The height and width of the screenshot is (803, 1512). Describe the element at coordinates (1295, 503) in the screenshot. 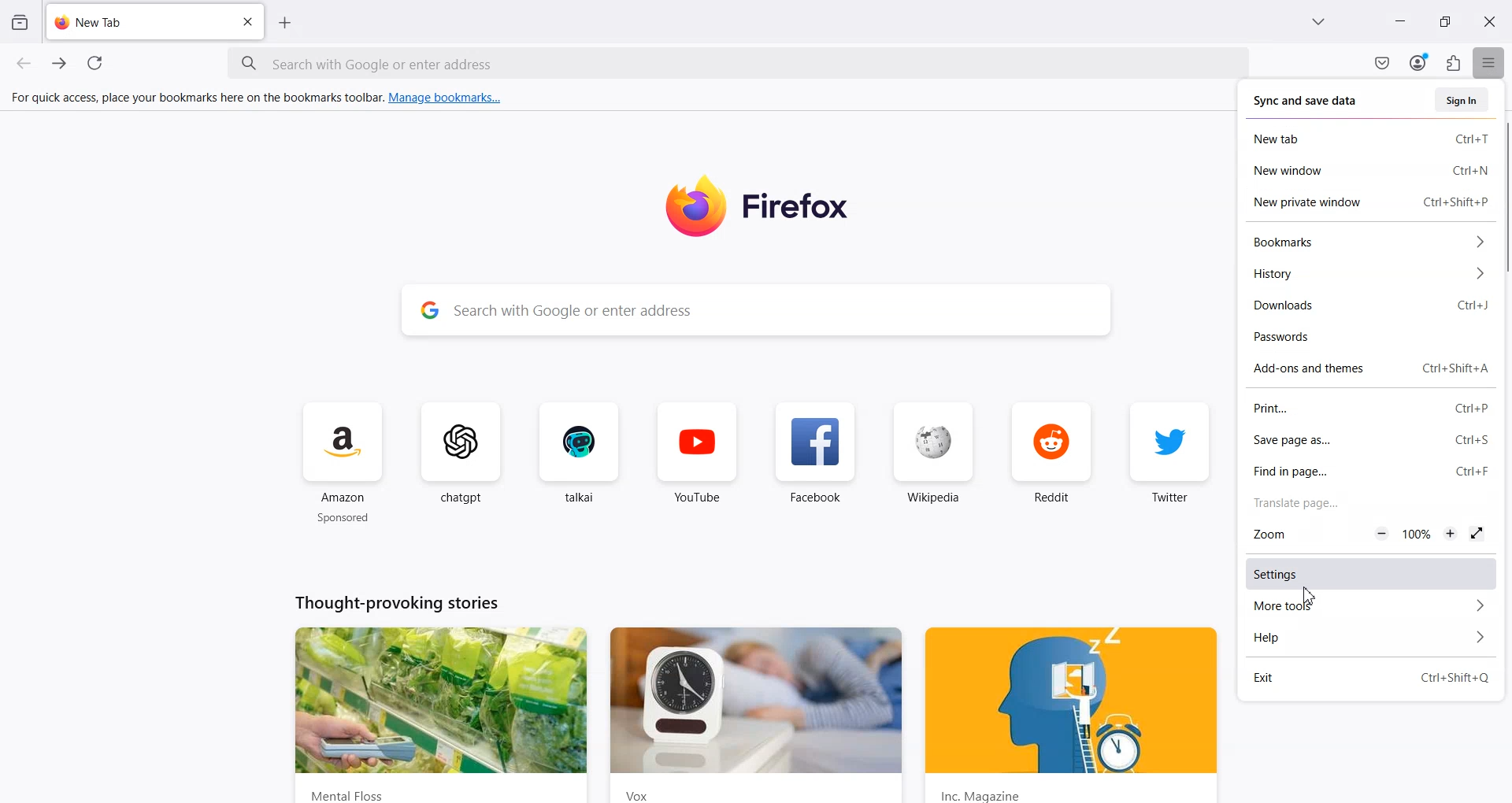

I see `Twitter Translate page.` at that location.